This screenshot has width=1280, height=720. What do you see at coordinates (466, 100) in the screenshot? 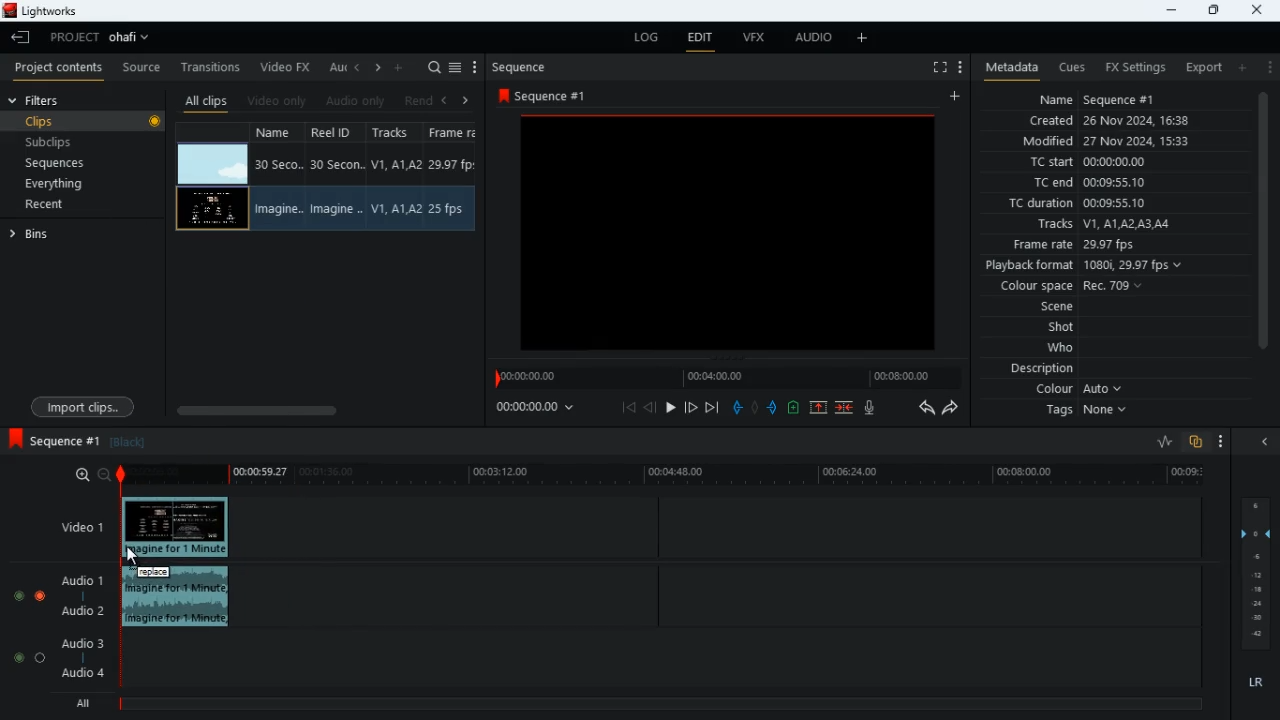
I see `right` at bounding box center [466, 100].